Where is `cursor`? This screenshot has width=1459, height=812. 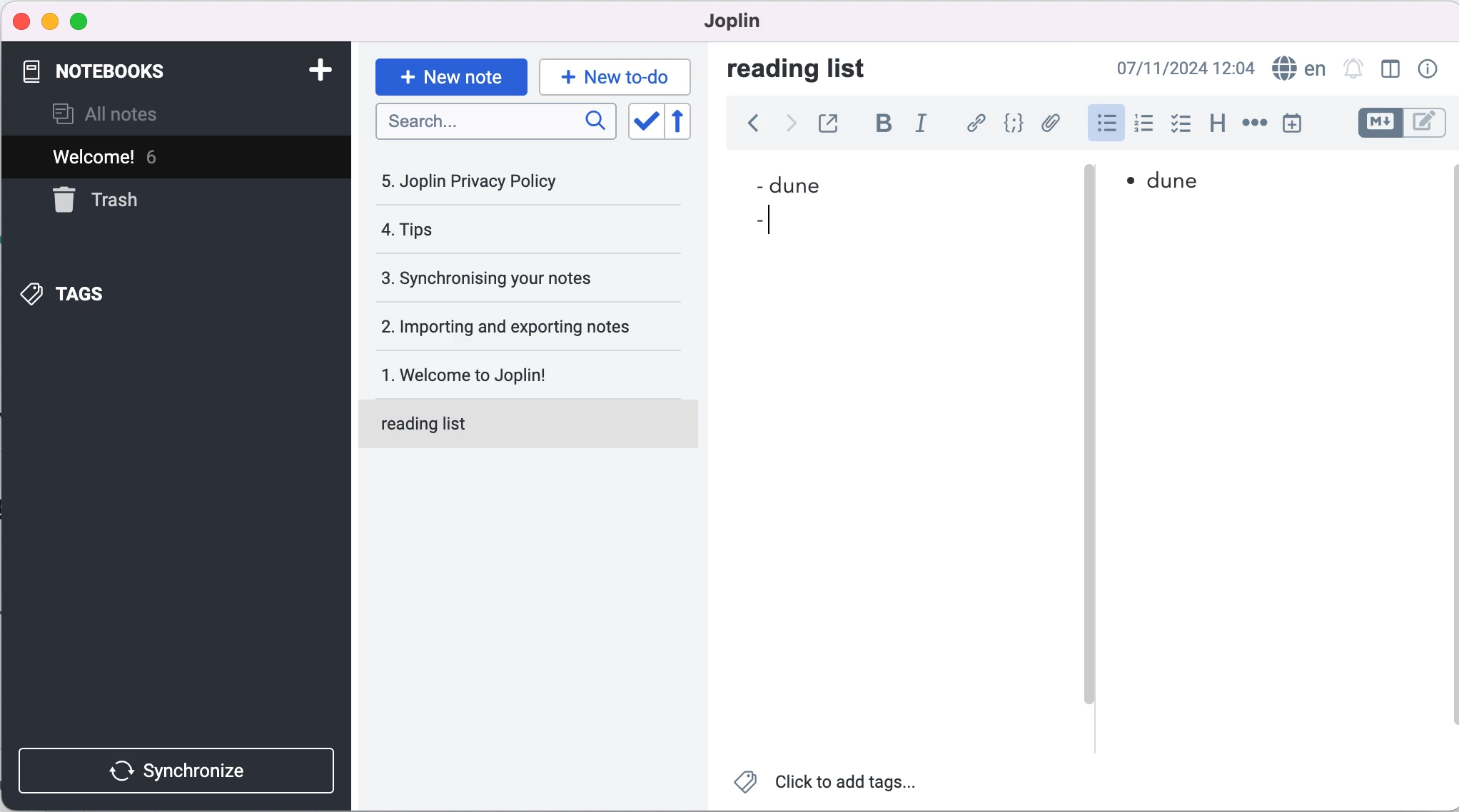
cursor is located at coordinates (777, 220).